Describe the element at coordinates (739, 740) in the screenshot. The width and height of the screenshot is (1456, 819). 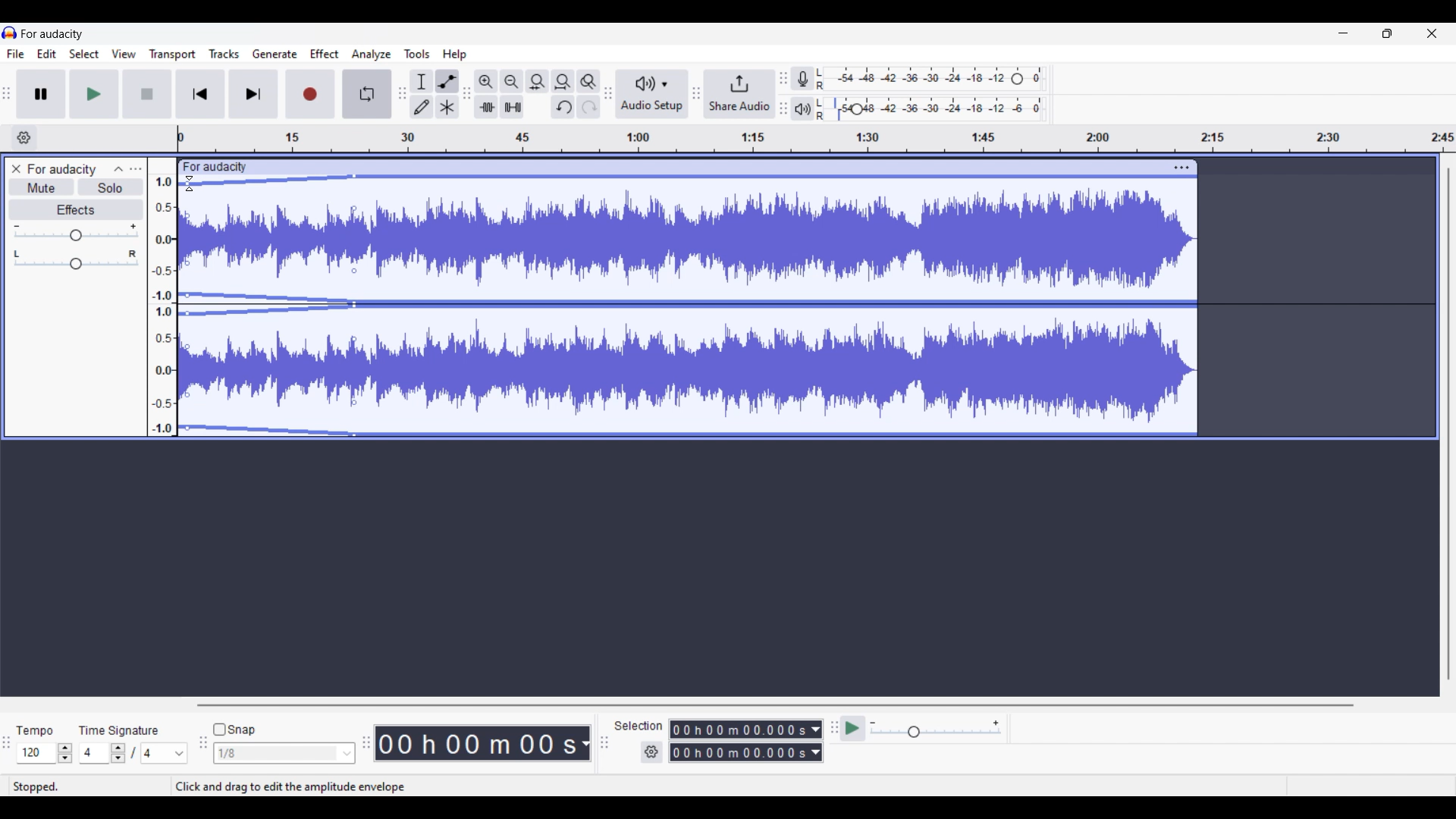
I see `Selection duration` at that location.